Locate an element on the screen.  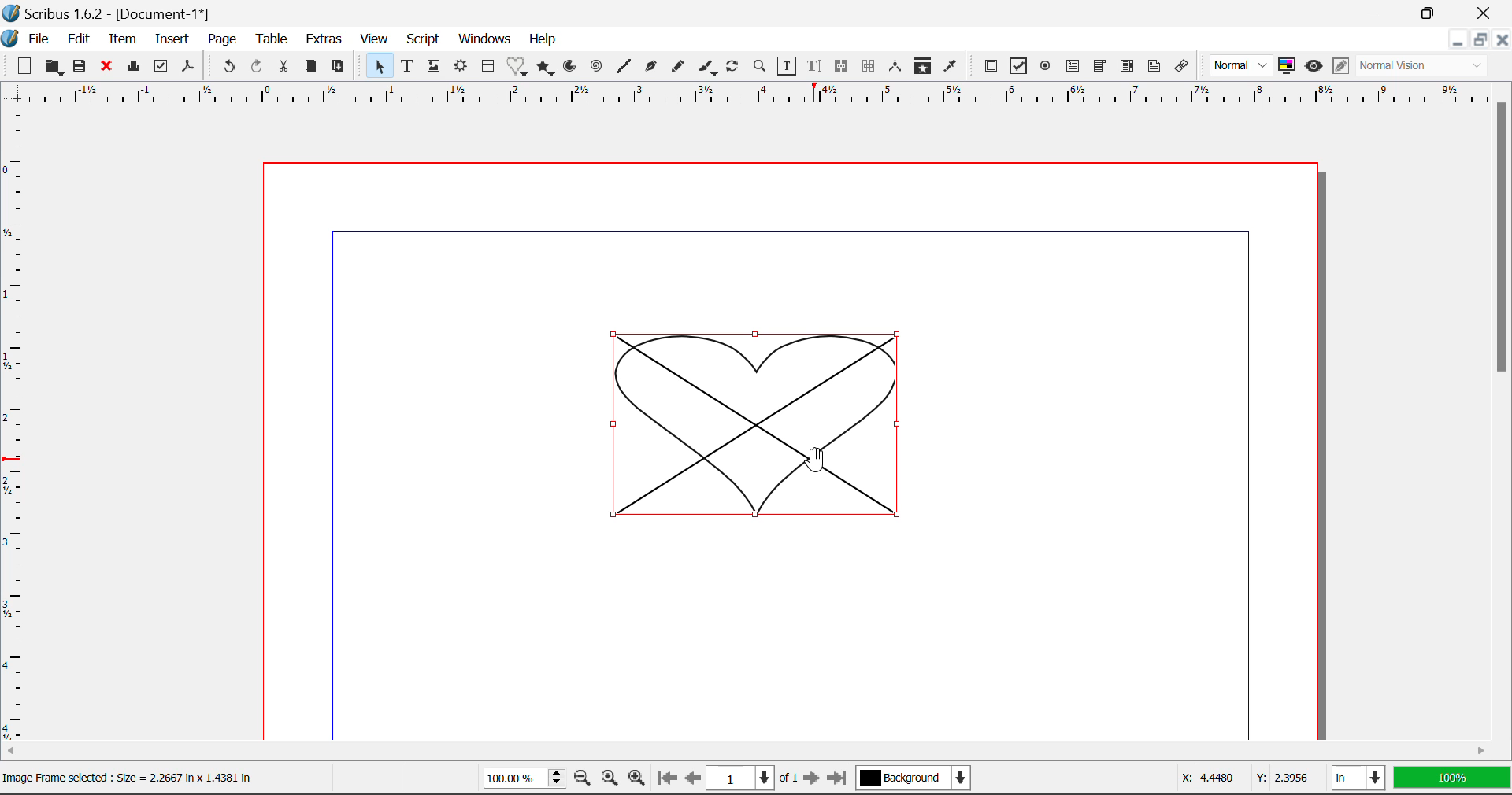
Spiral is located at coordinates (597, 67).